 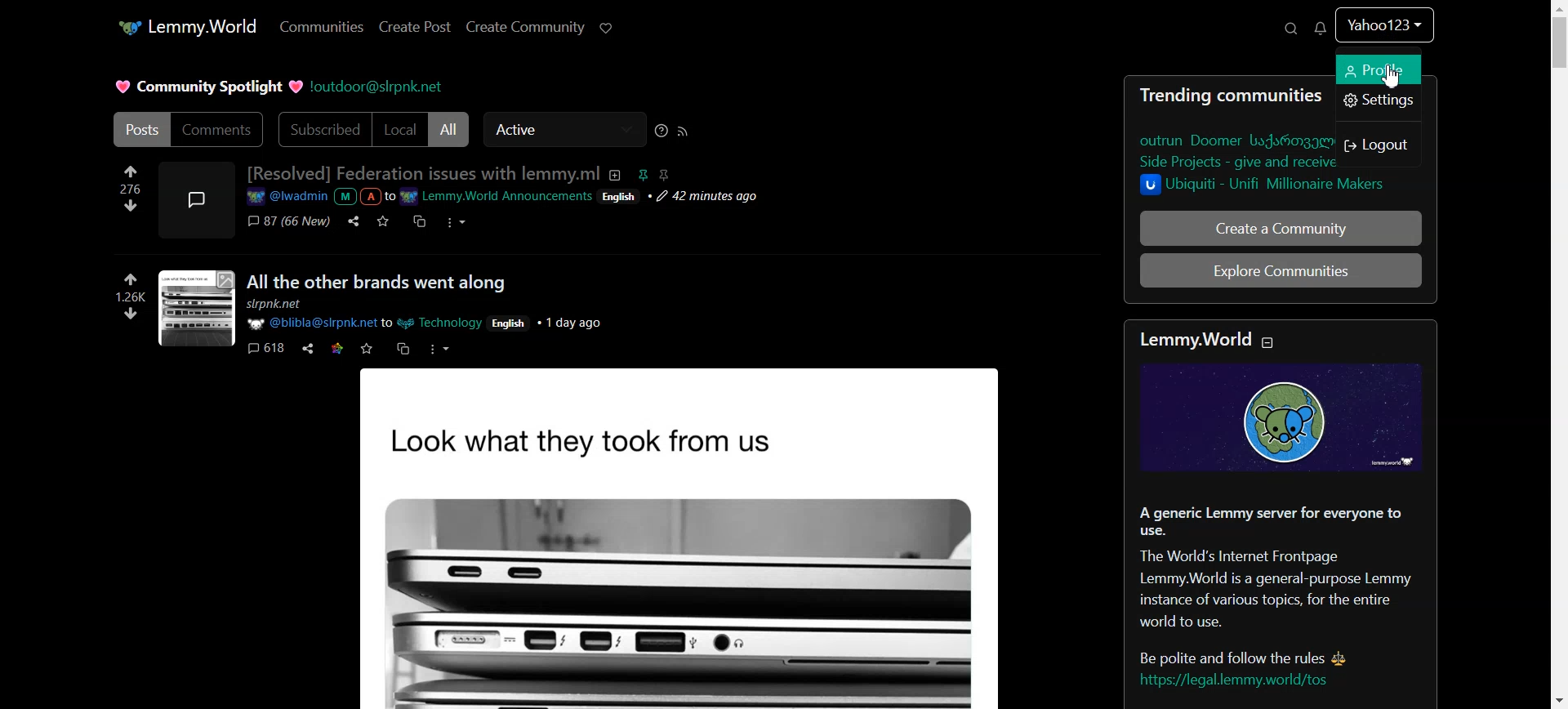 I want to click on save, so click(x=383, y=221).